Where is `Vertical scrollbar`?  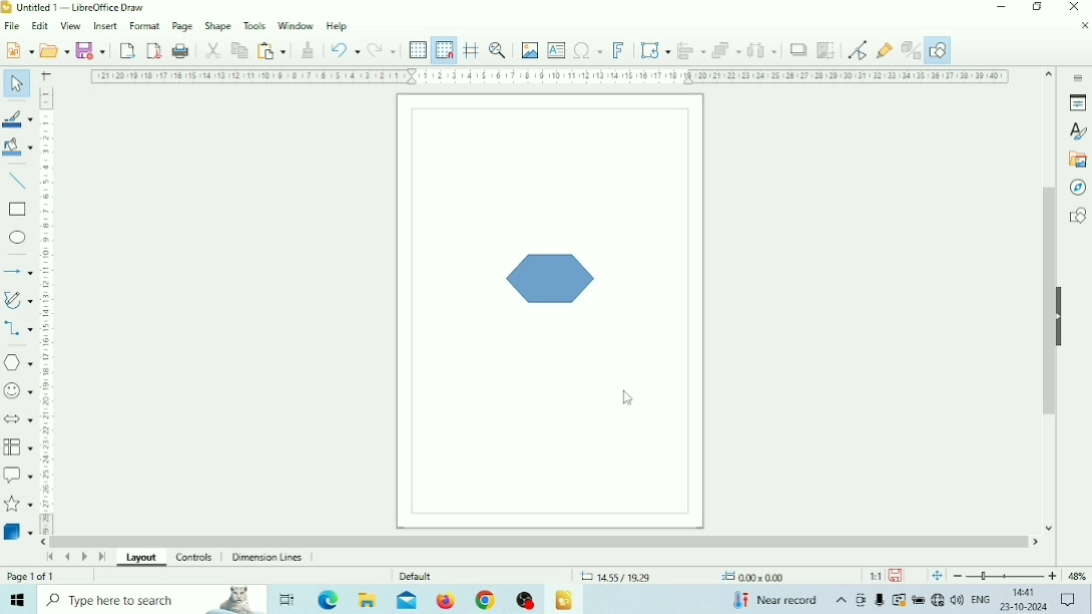
Vertical scrollbar is located at coordinates (1049, 301).